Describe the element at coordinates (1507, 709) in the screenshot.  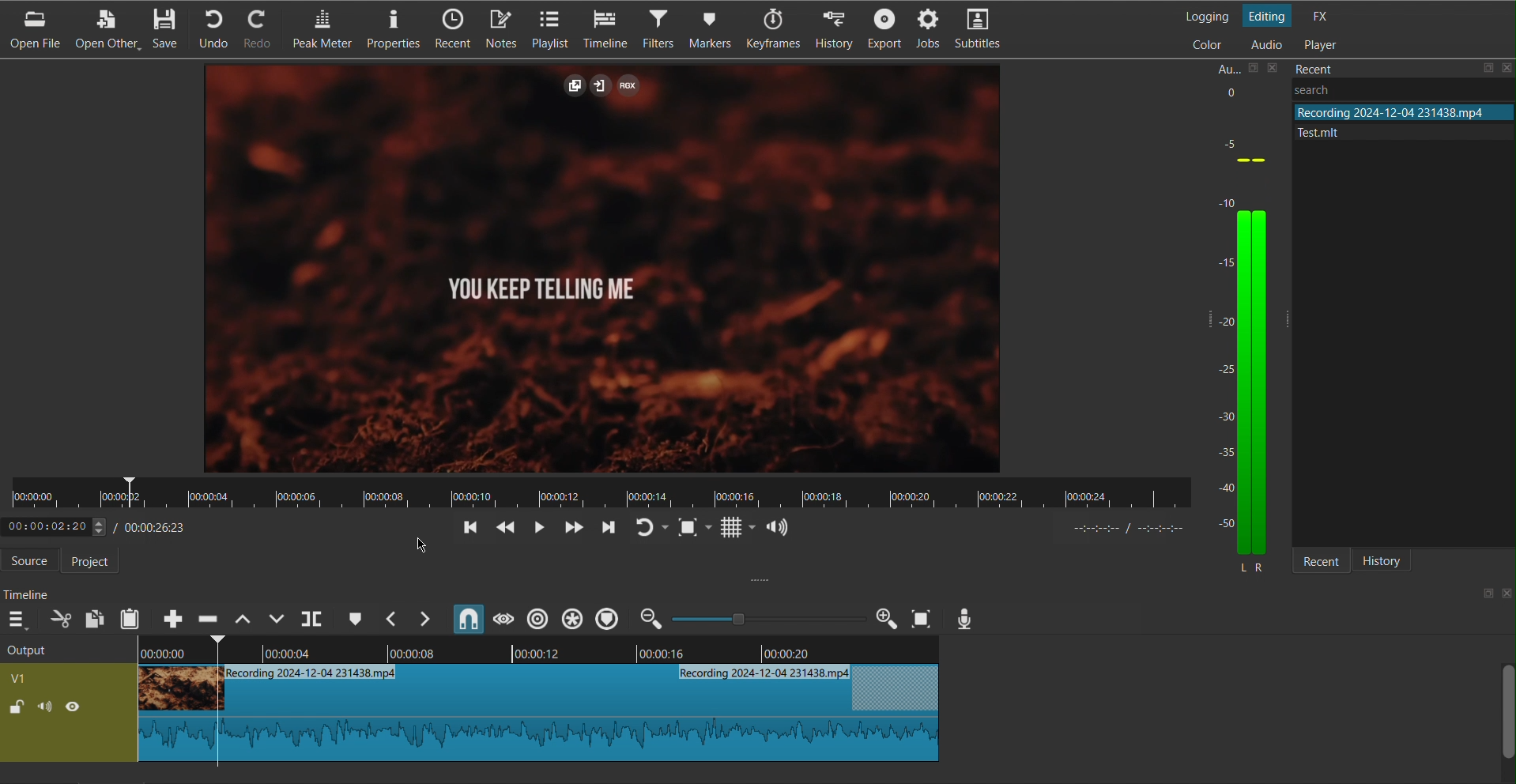
I see `scroll bar` at that location.